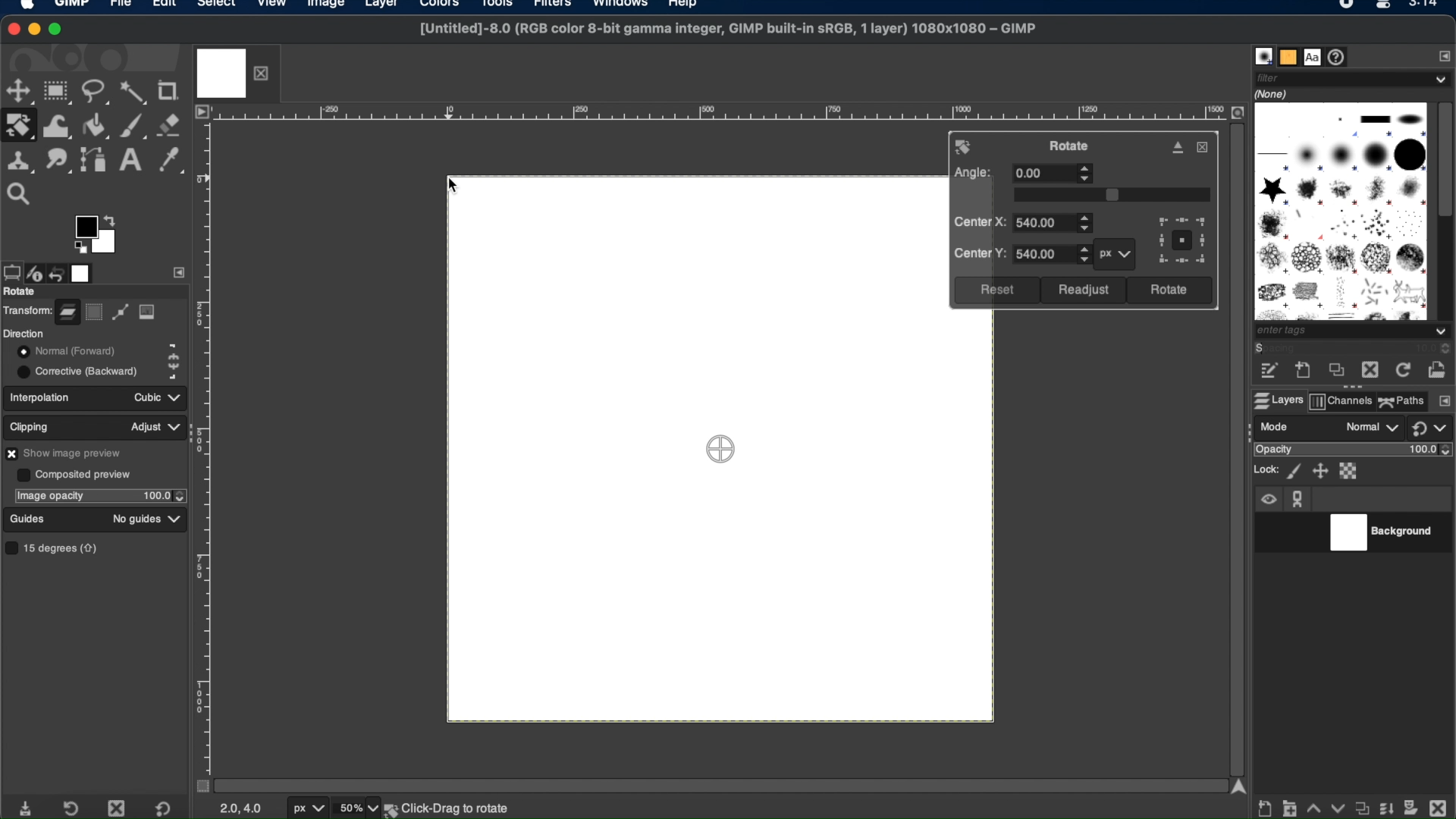 The image size is (1456, 819). What do you see at coordinates (1441, 349) in the screenshot?
I see `spacing stepper buttons` at bounding box center [1441, 349].